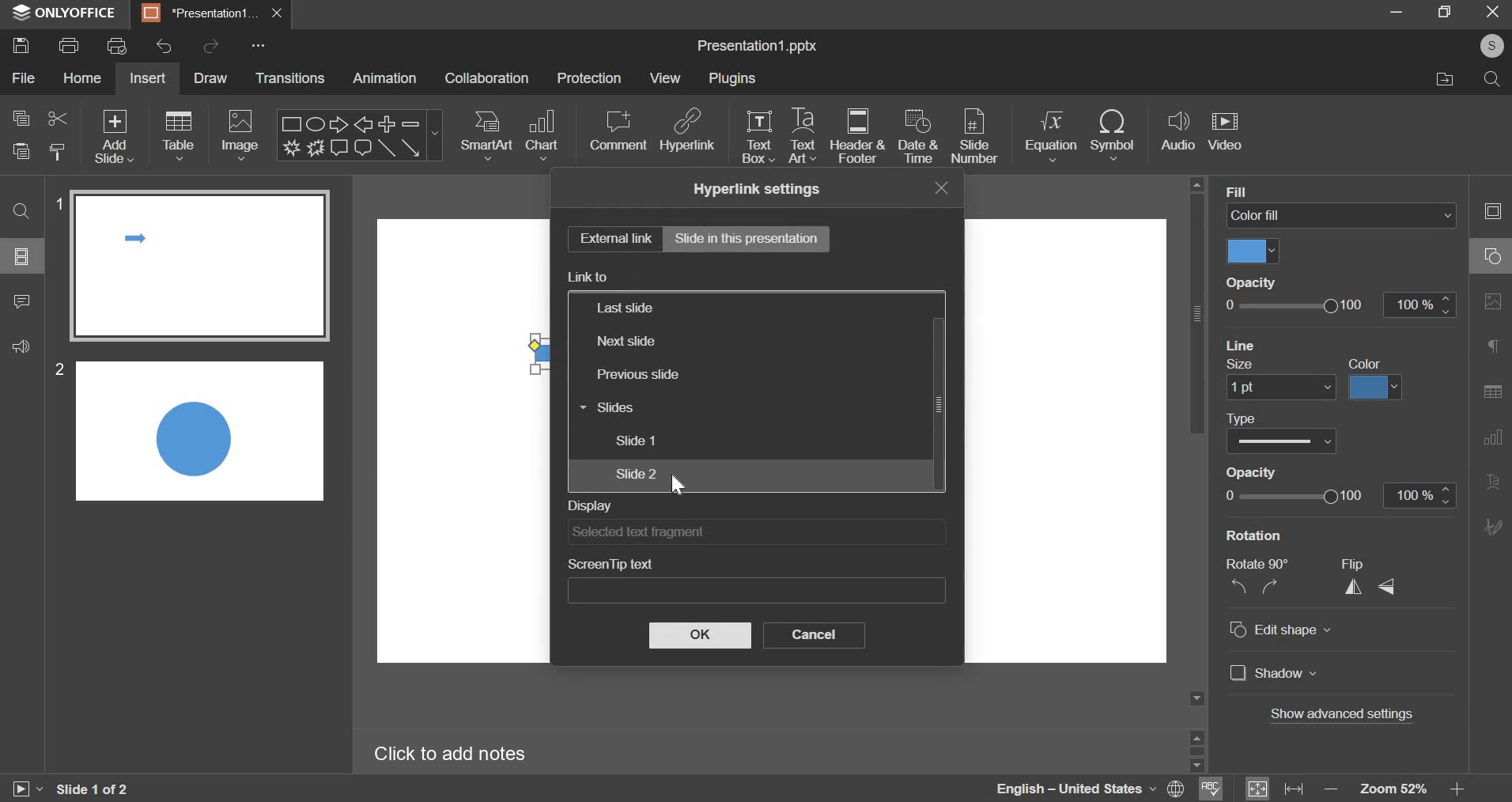 This screenshot has width=1512, height=802. Describe the element at coordinates (1052, 136) in the screenshot. I see `insert equation` at that location.